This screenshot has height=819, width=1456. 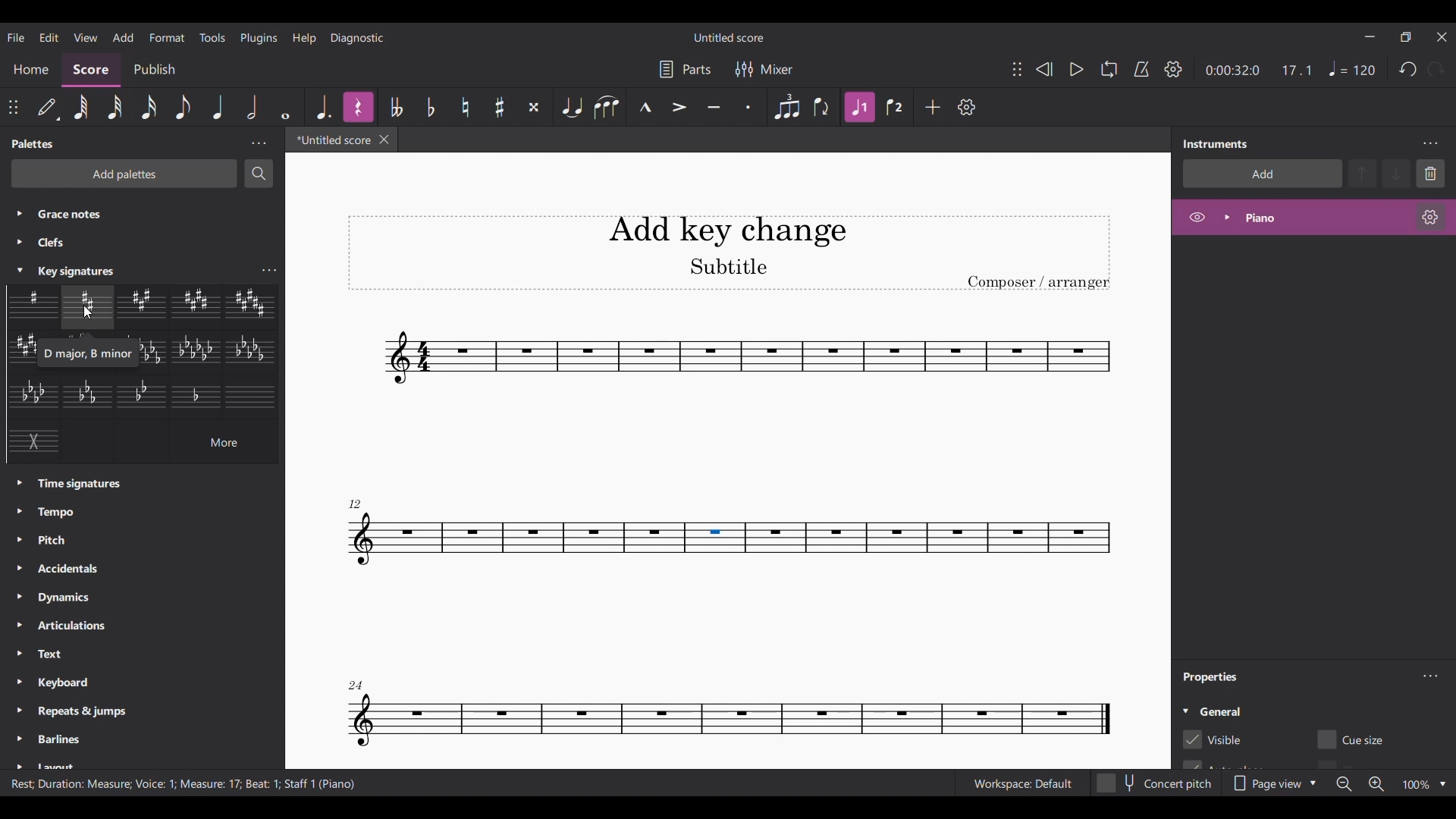 What do you see at coordinates (431, 107) in the screenshot?
I see `Toggle flat` at bounding box center [431, 107].